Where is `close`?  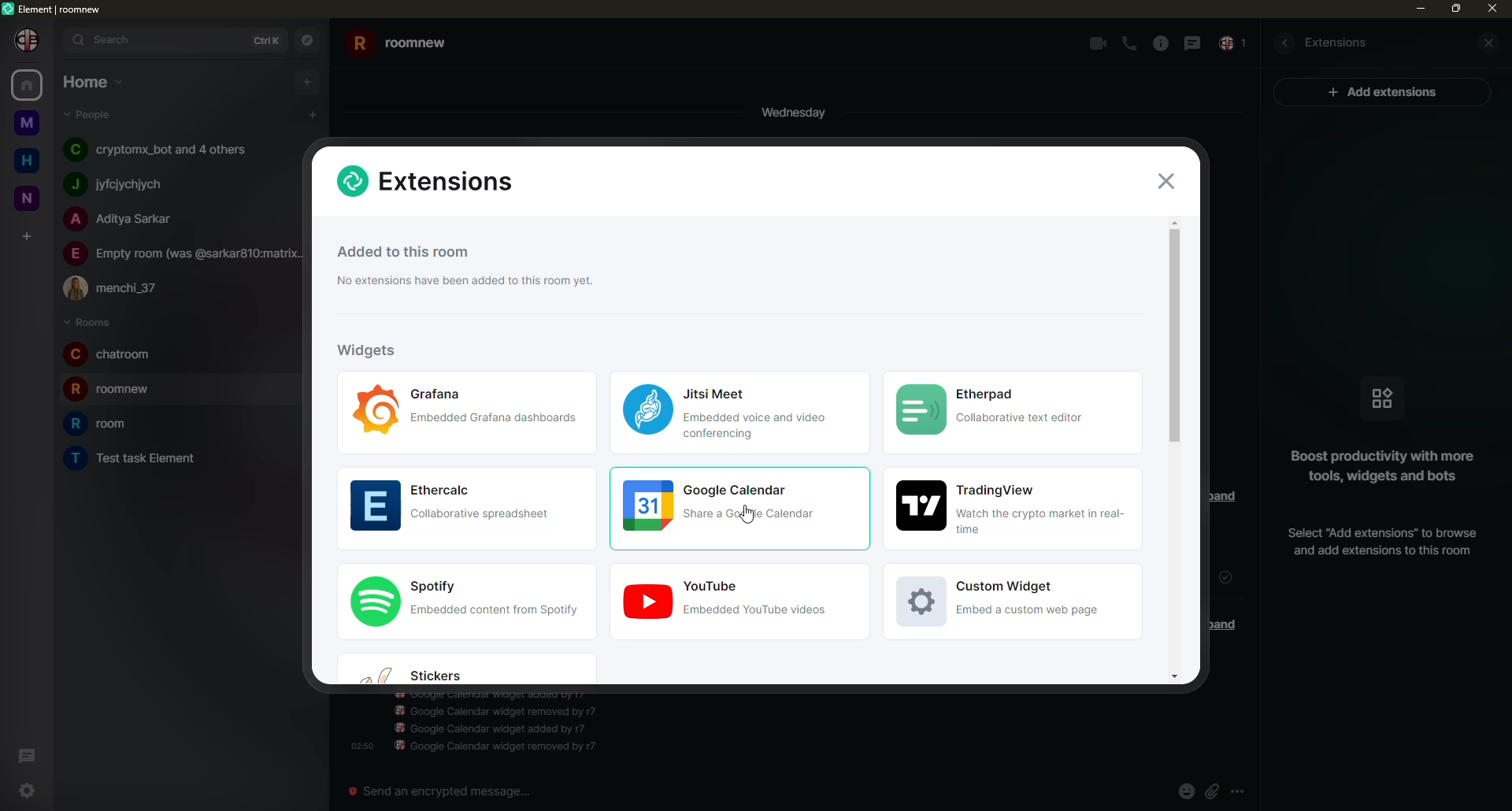 close is located at coordinates (1167, 180).